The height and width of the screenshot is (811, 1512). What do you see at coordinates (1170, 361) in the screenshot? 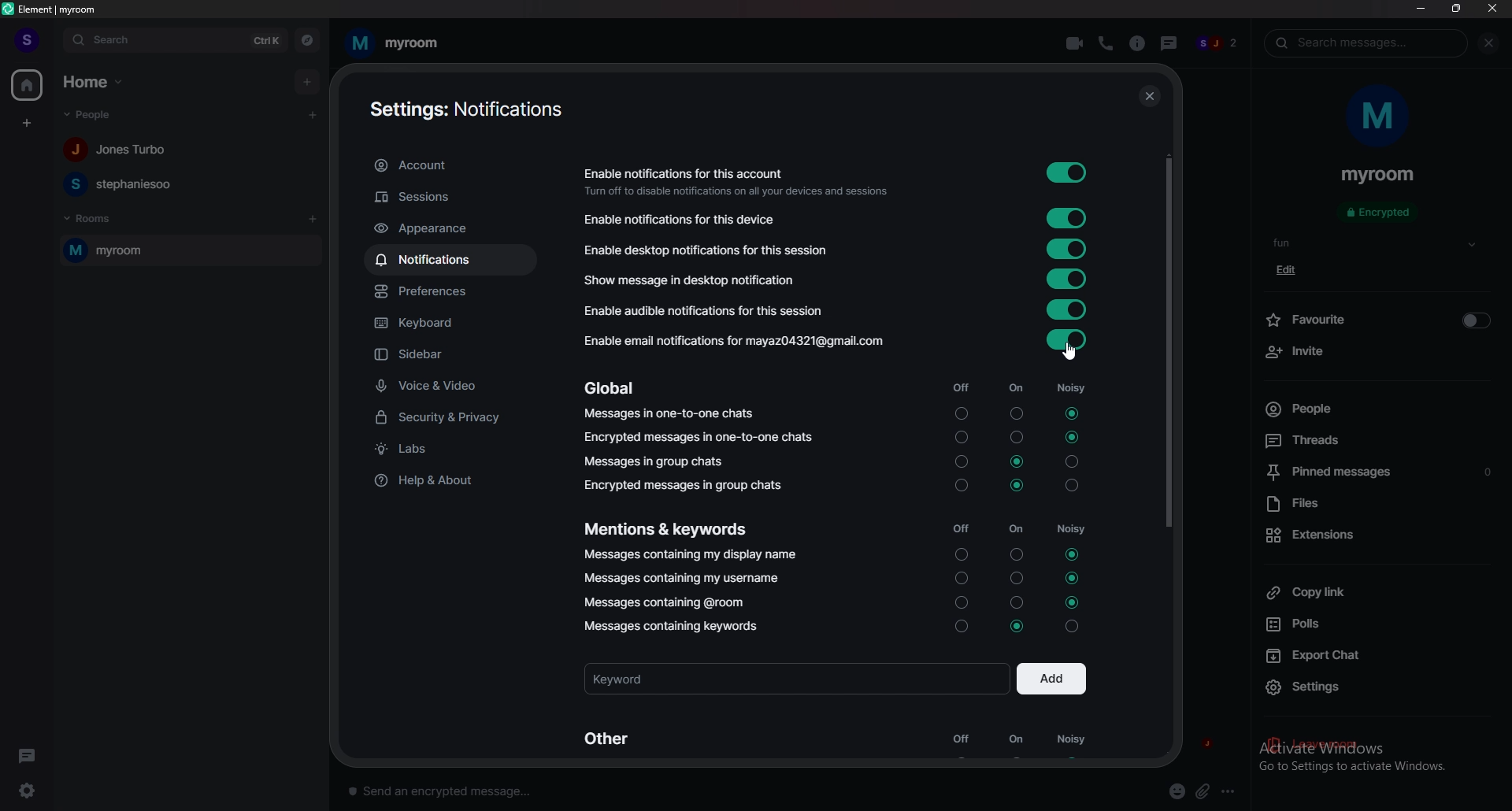
I see `scroll bar` at bounding box center [1170, 361].